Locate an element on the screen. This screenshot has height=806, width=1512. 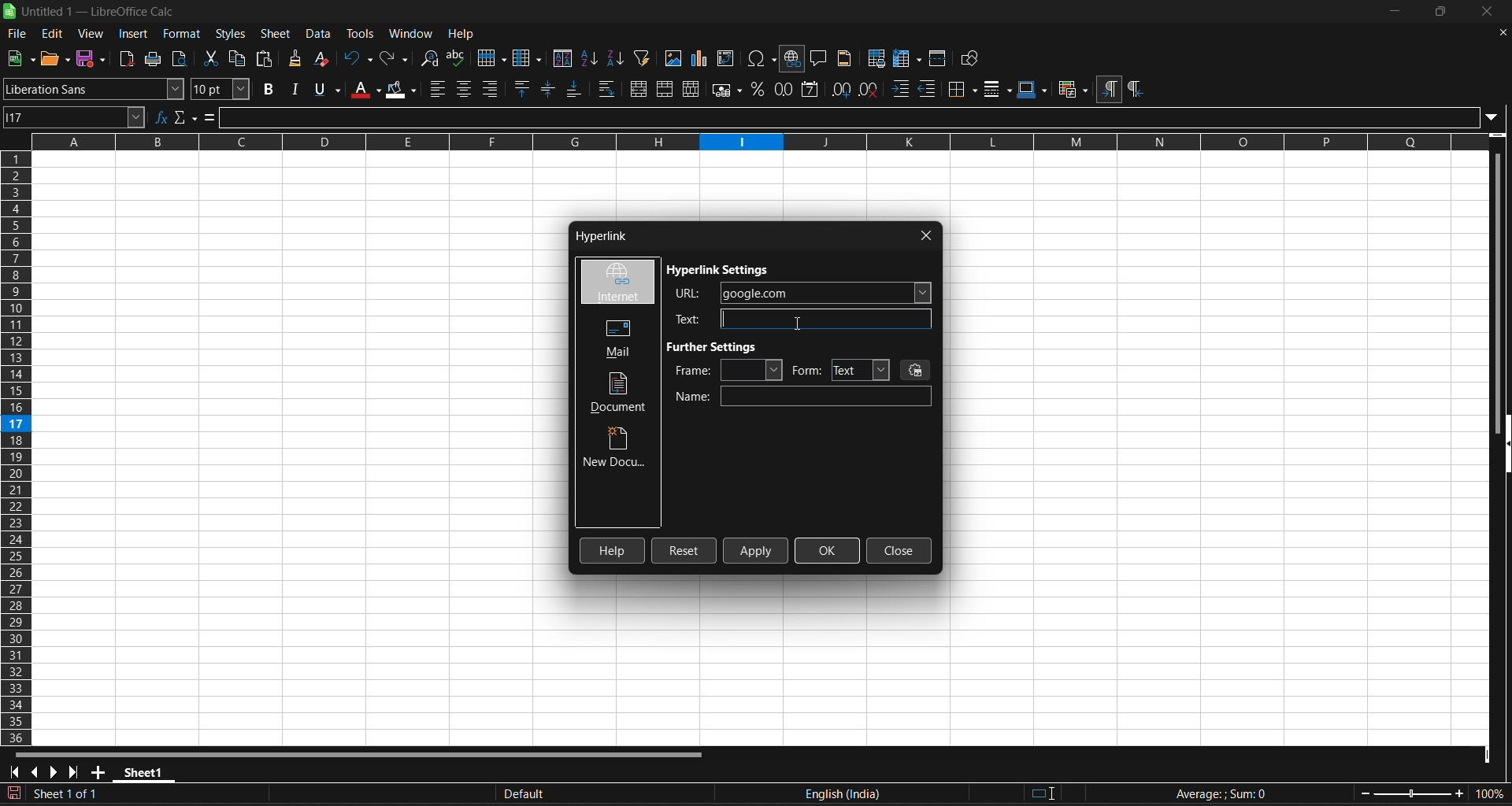
events is located at coordinates (917, 369).